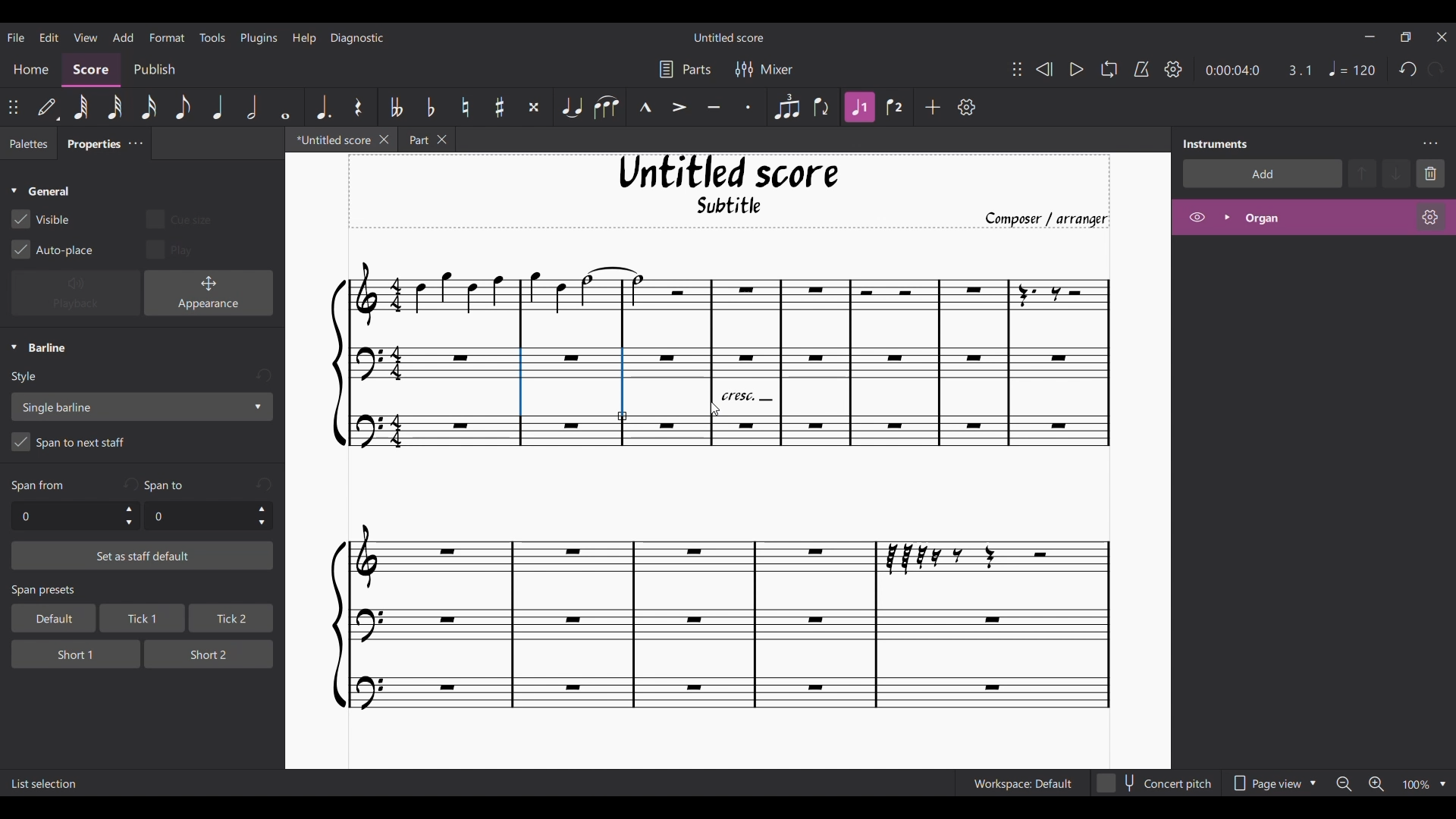 The width and height of the screenshot is (1456, 819). Describe the element at coordinates (49, 36) in the screenshot. I see `Edit menu` at that location.